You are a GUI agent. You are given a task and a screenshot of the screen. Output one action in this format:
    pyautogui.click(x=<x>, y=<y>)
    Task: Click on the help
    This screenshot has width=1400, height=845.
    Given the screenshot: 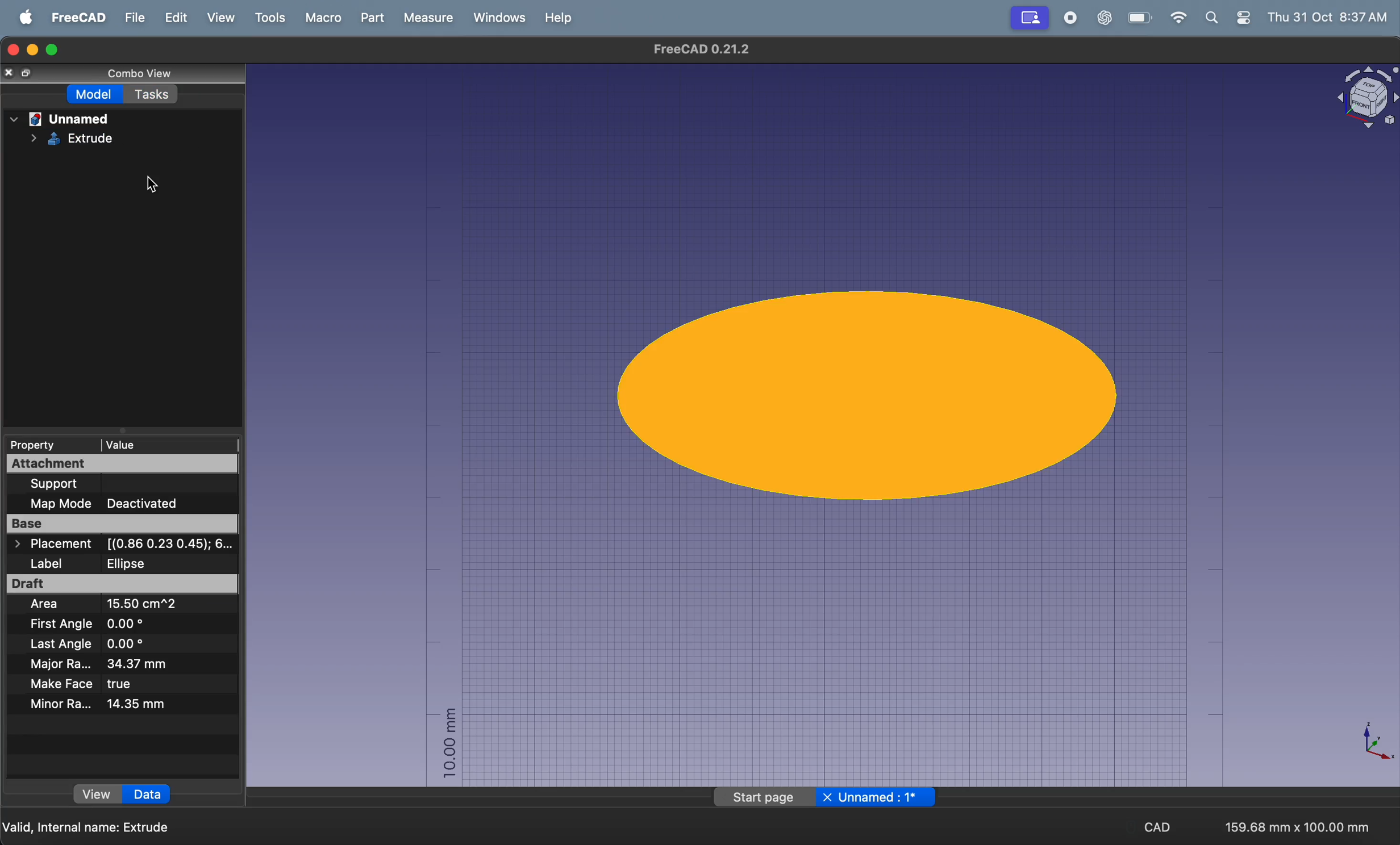 What is the action you would take?
    pyautogui.click(x=561, y=17)
    